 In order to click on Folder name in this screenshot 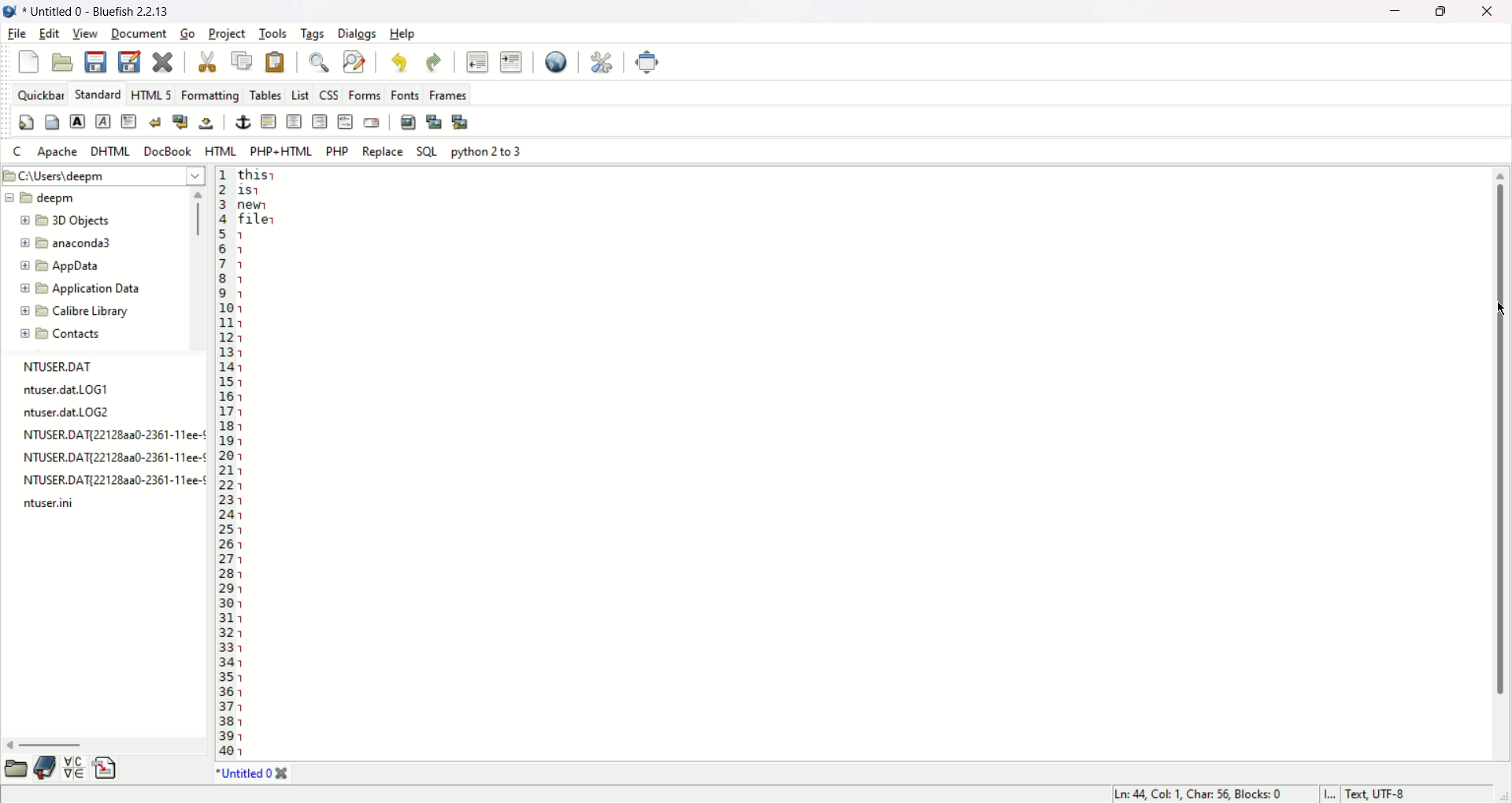, I will do `click(69, 245)`.